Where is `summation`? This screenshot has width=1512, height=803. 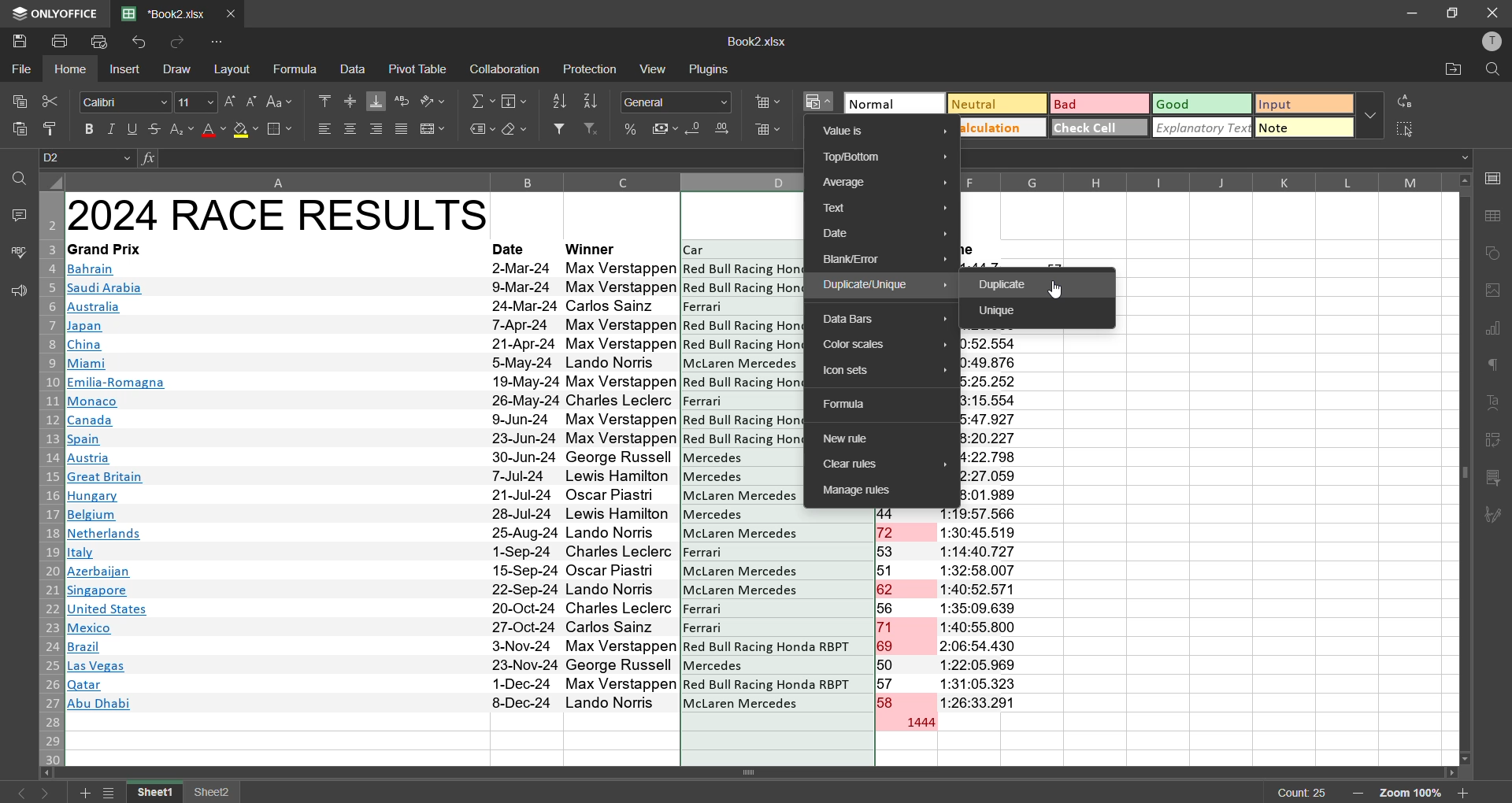
summation is located at coordinates (483, 102).